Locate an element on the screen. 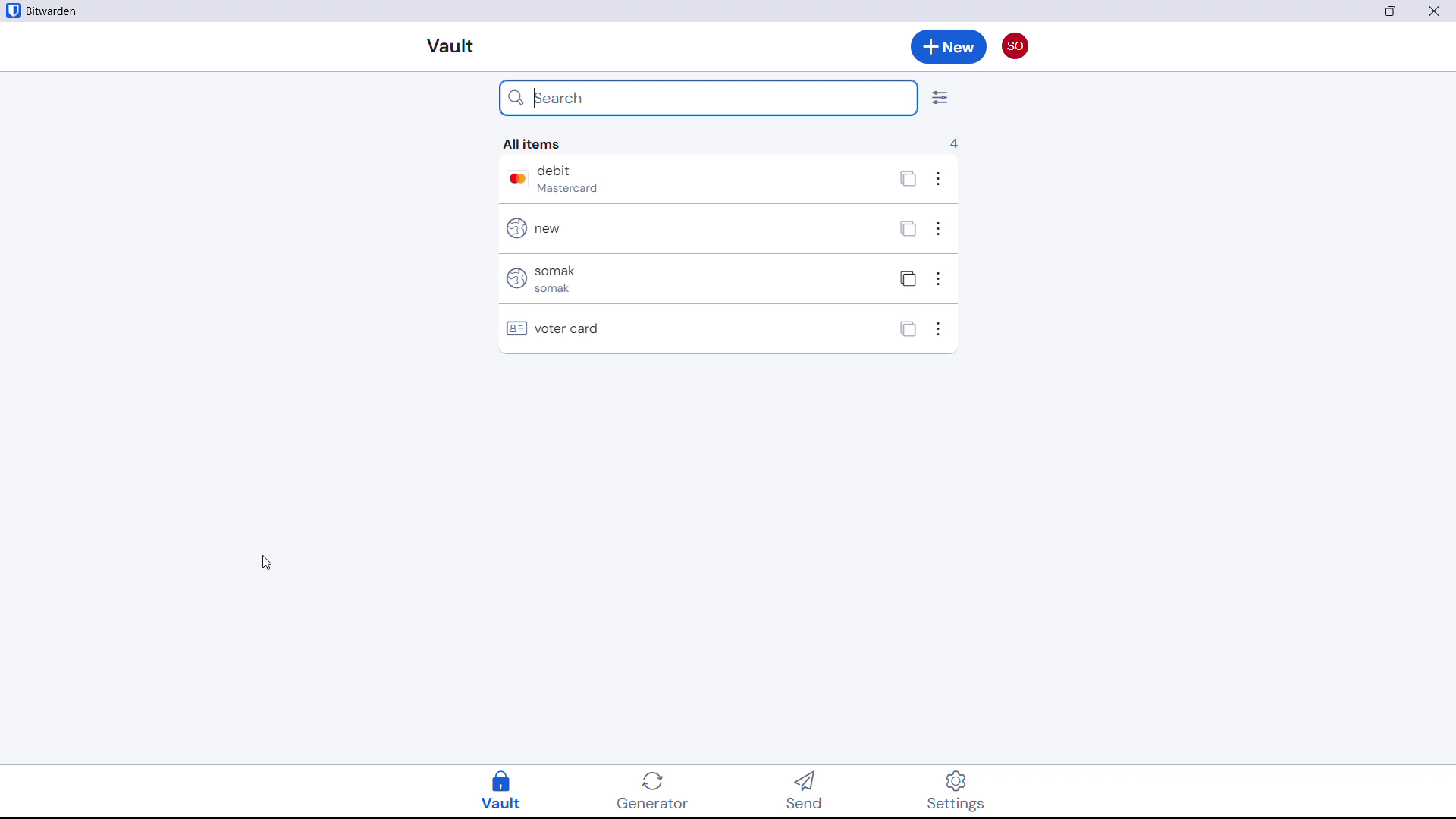 The width and height of the screenshot is (1456, 819). All items  is located at coordinates (534, 143).